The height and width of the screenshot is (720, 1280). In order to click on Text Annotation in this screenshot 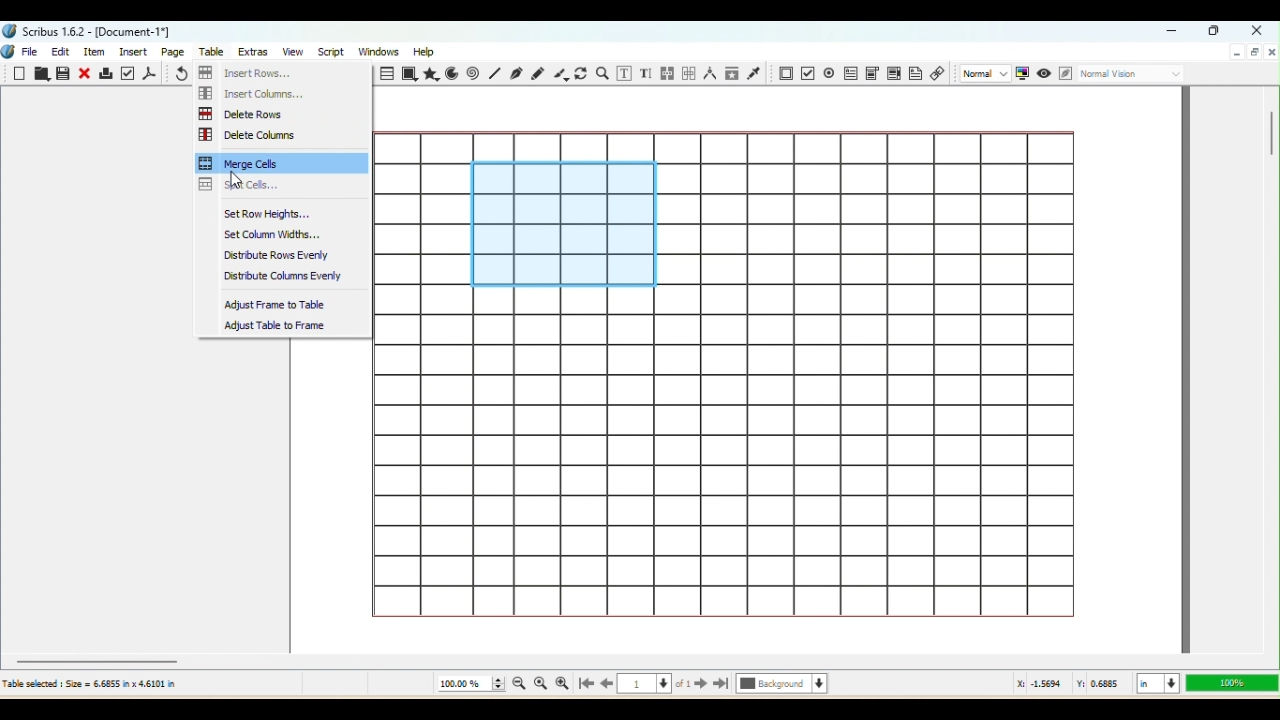, I will do `click(915, 76)`.